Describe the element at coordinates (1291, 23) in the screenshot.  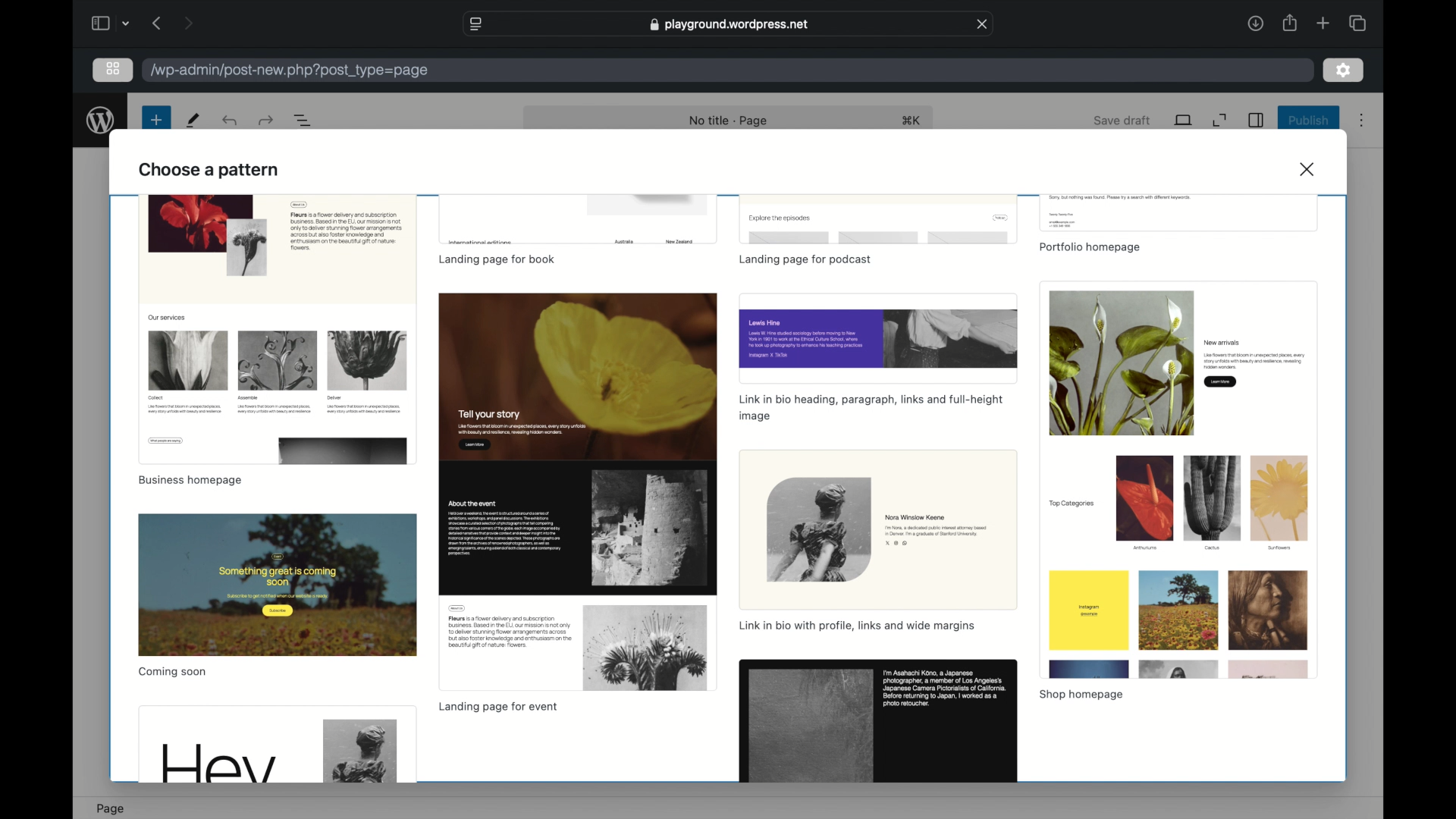
I see `share` at that location.